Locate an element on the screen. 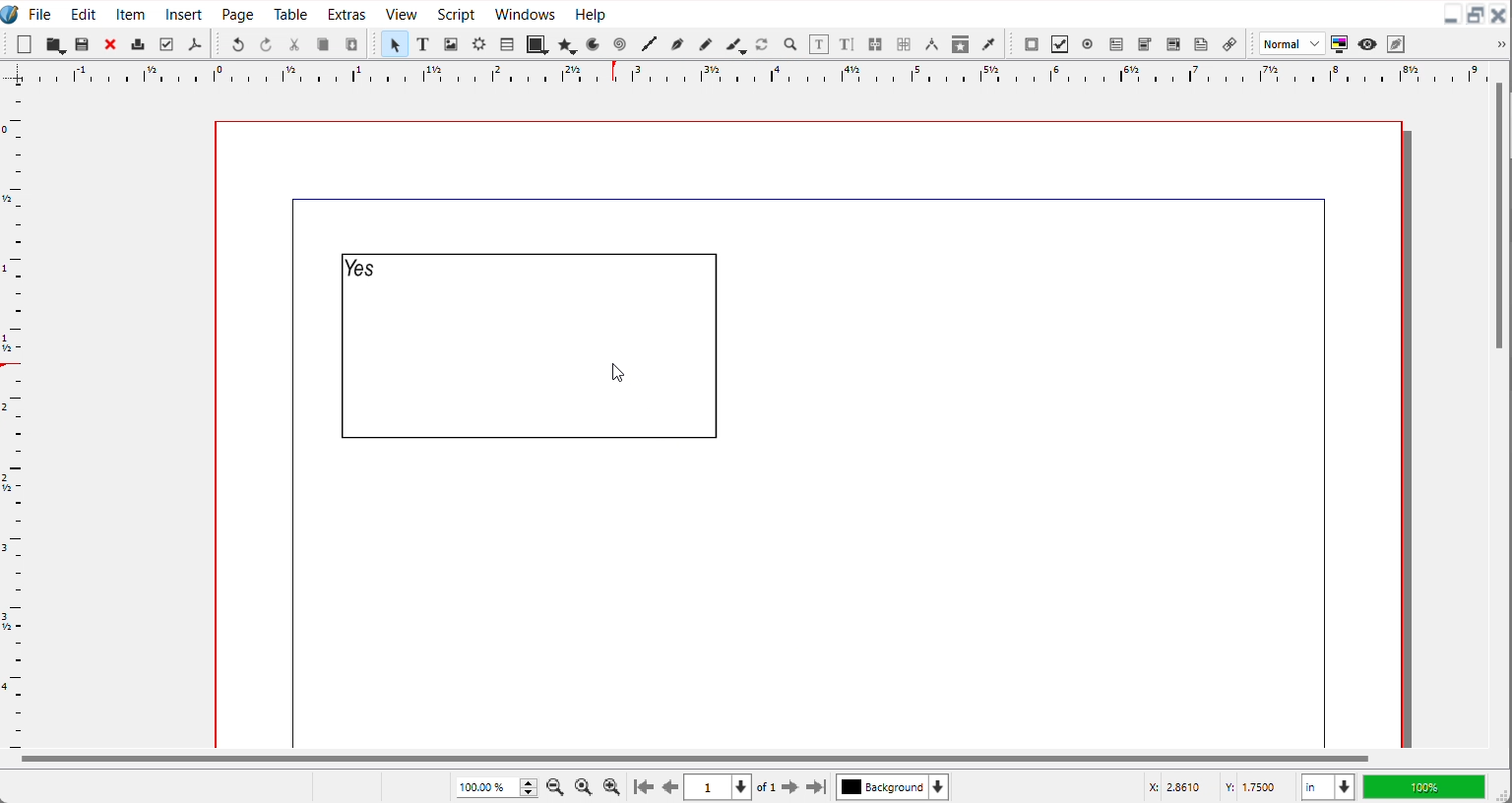 The width and height of the screenshot is (1512, 803). Horizontal scale is located at coordinates (756, 73).